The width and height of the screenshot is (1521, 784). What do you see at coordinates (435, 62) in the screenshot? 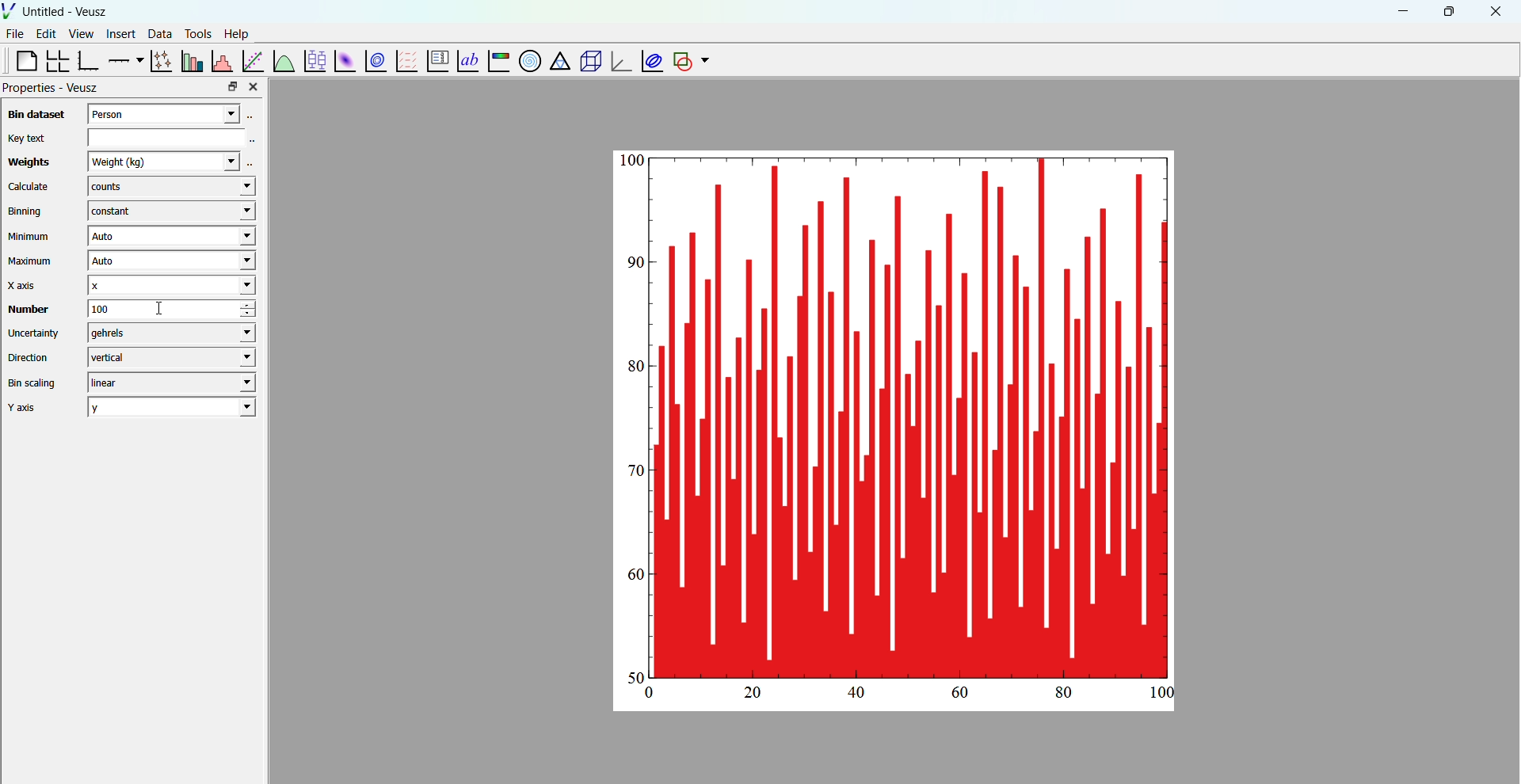
I see `plot key` at bounding box center [435, 62].